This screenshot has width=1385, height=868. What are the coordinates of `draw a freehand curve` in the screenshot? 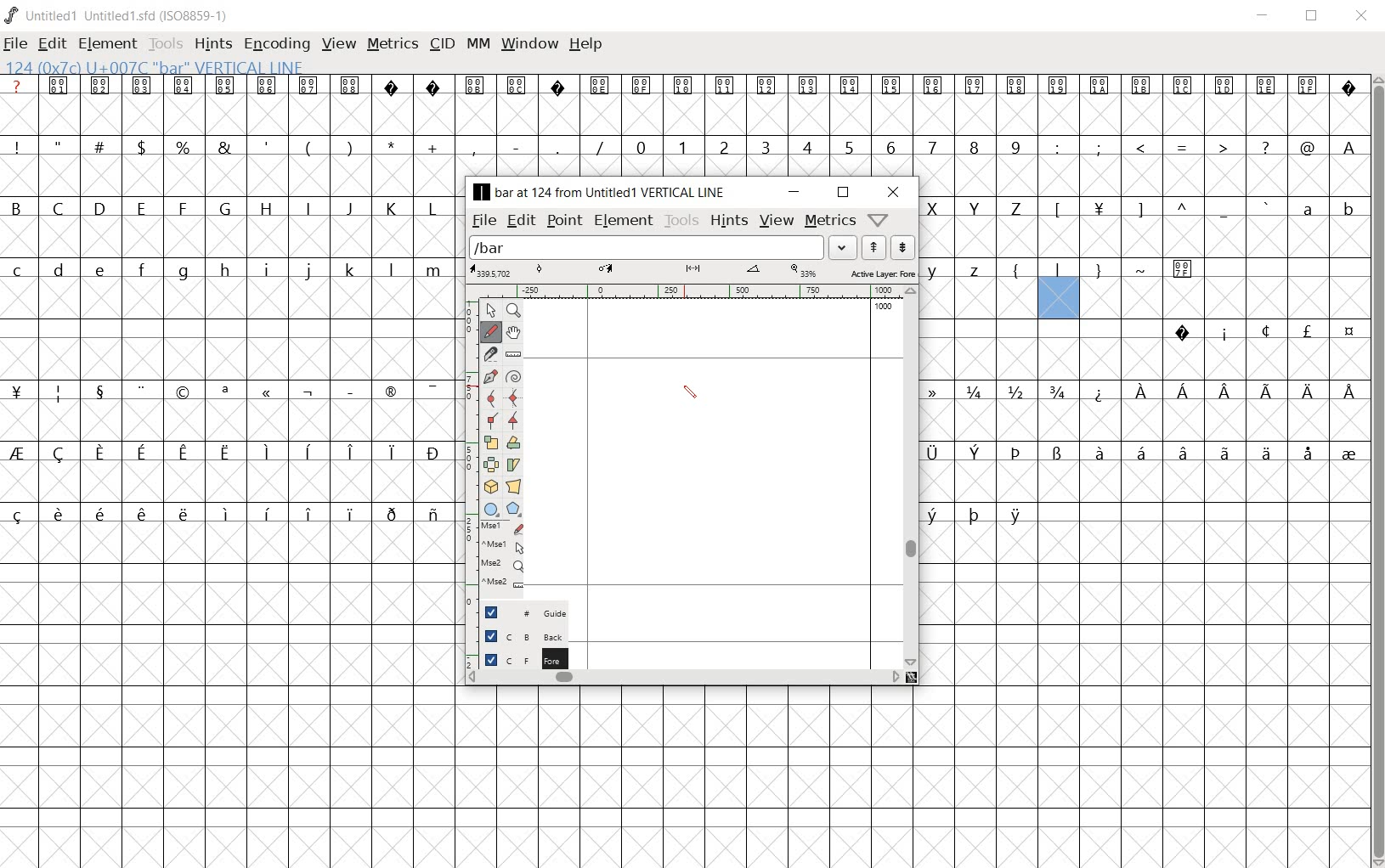 It's located at (491, 331).